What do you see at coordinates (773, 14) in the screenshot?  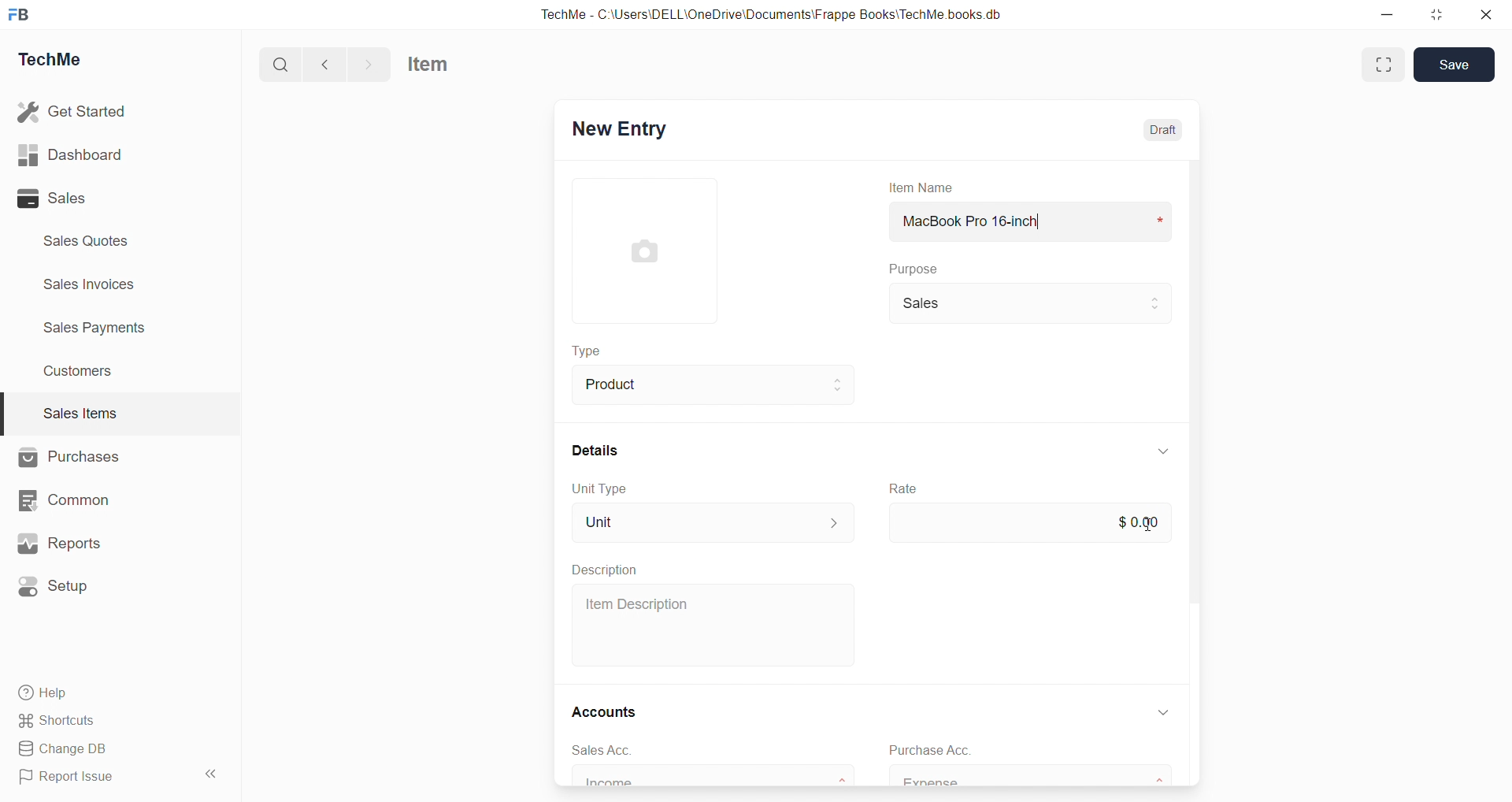 I see `TechMe - C:\Users\DELL\OneDrive\Documents\Frappe Books\TechMe books.db` at bounding box center [773, 14].